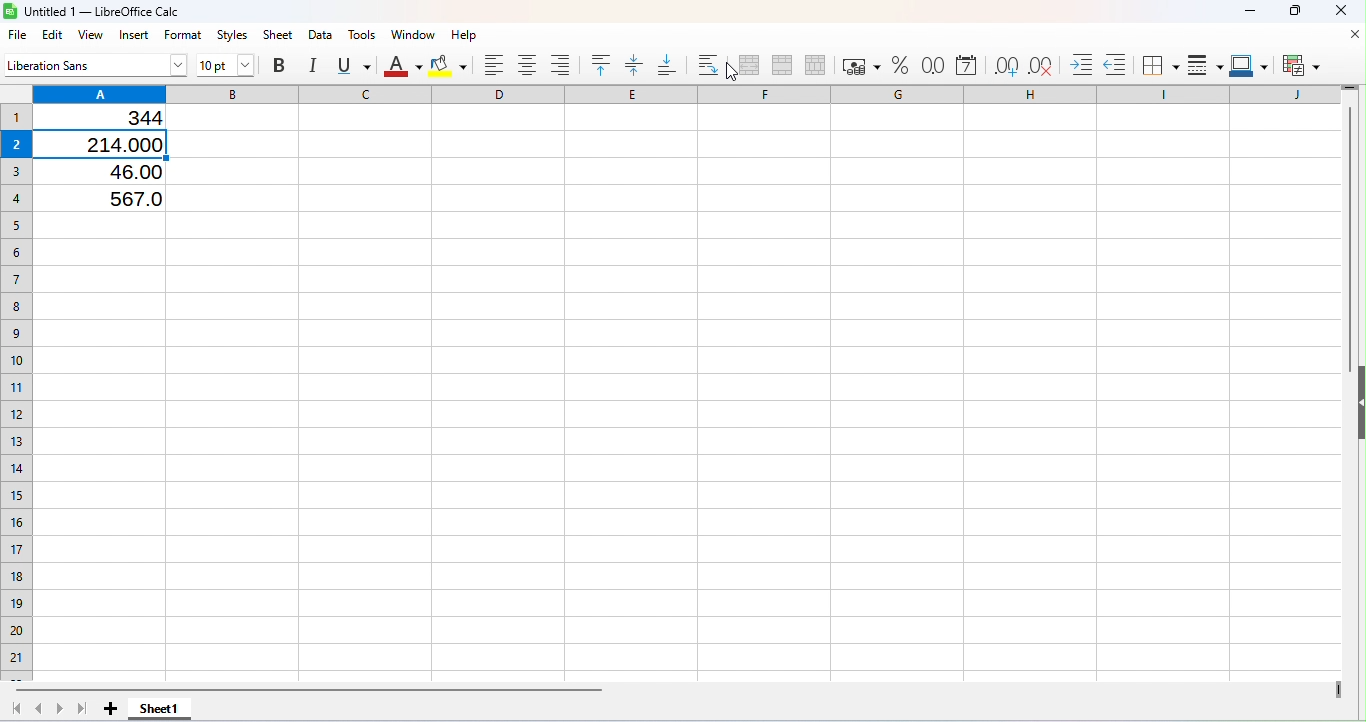  What do you see at coordinates (748, 66) in the screenshot?
I see `Merge and center or unmerge cells depending on the current toggle state` at bounding box center [748, 66].